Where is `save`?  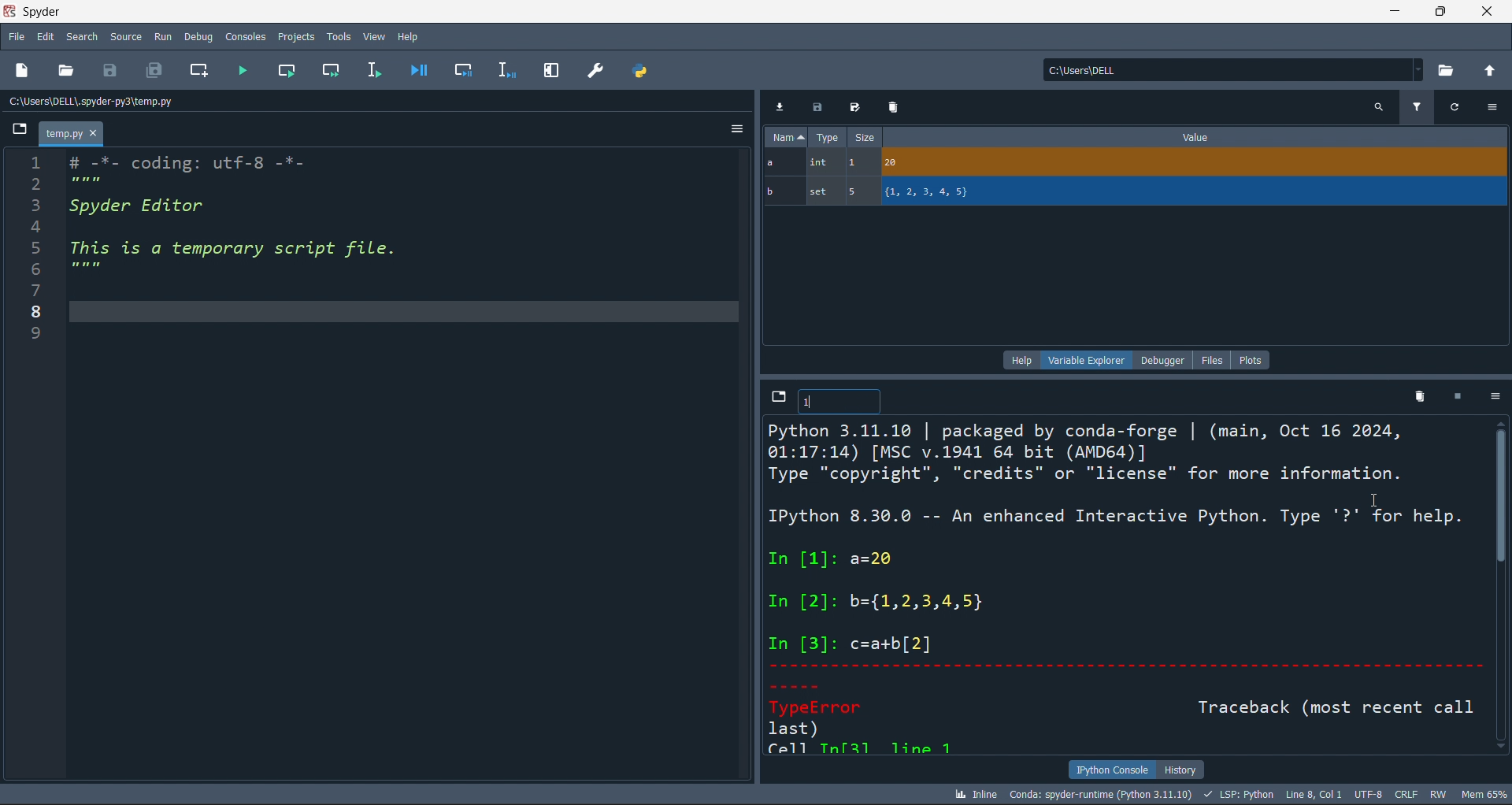 save is located at coordinates (115, 70).